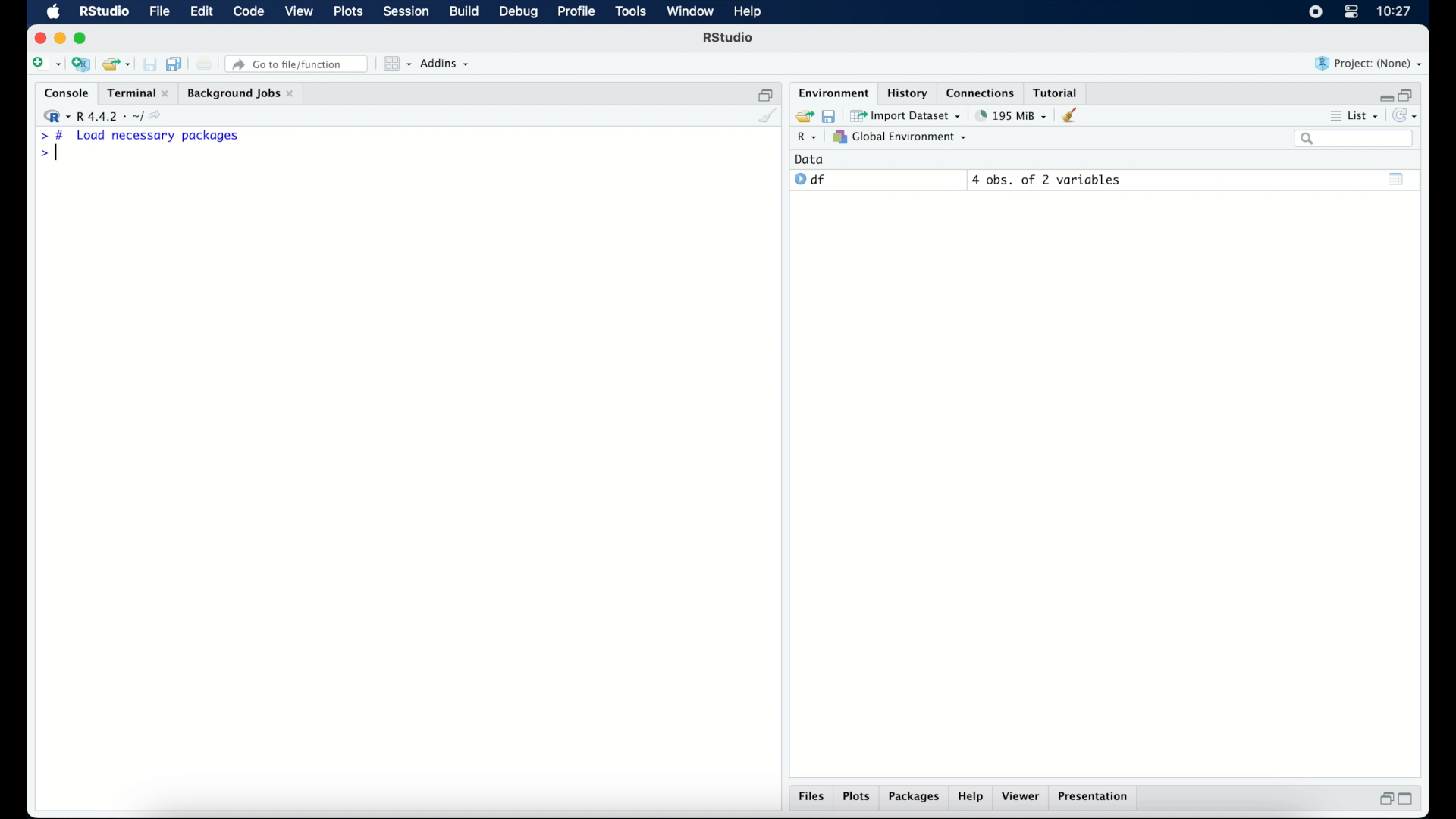 The width and height of the screenshot is (1456, 819). What do you see at coordinates (63, 93) in the screenshot?
I see `console` at bounding box center [63, 93].